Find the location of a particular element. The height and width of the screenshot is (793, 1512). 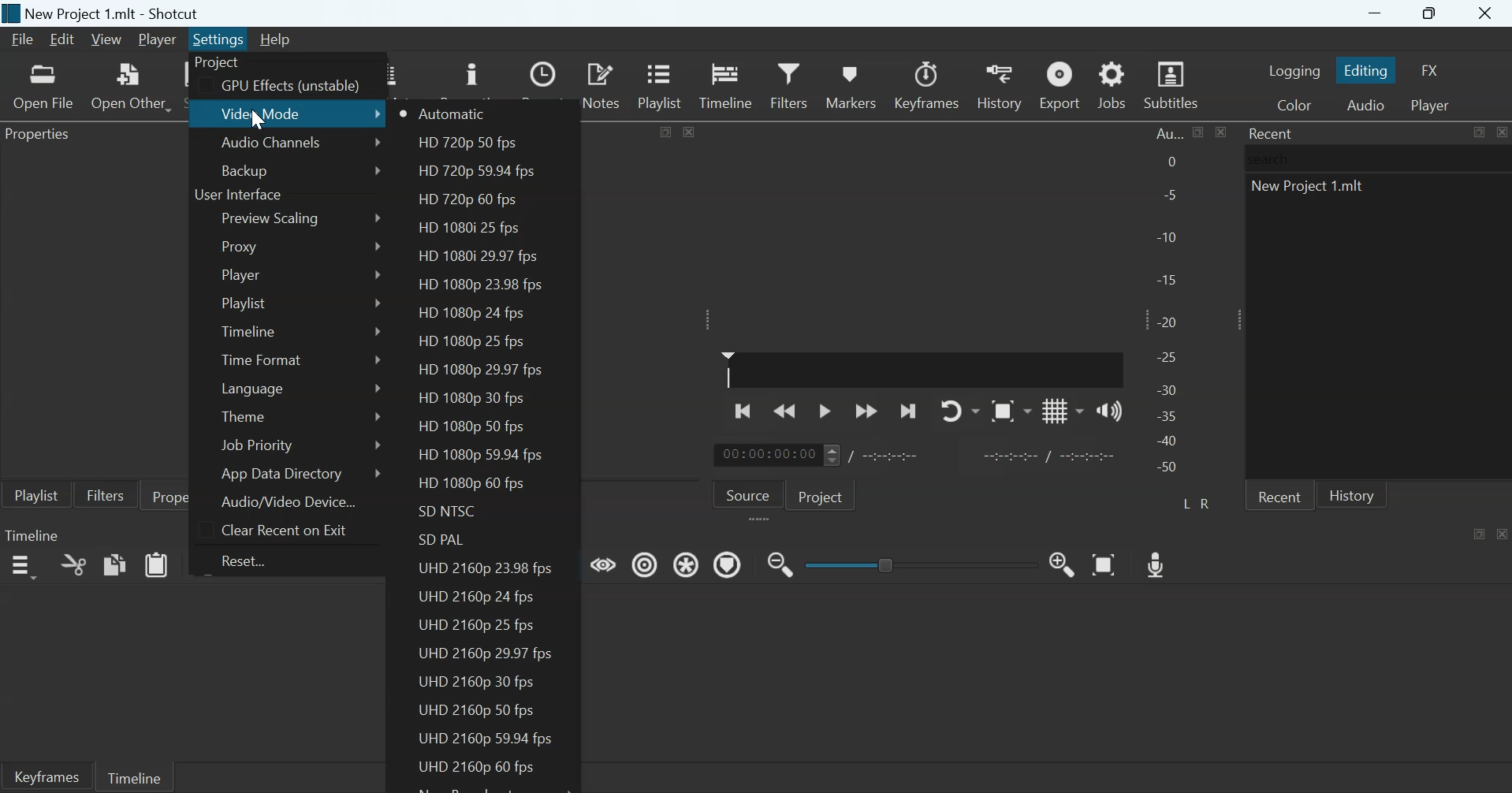

HD 720p 60fps is located at coordinates (467, 201).